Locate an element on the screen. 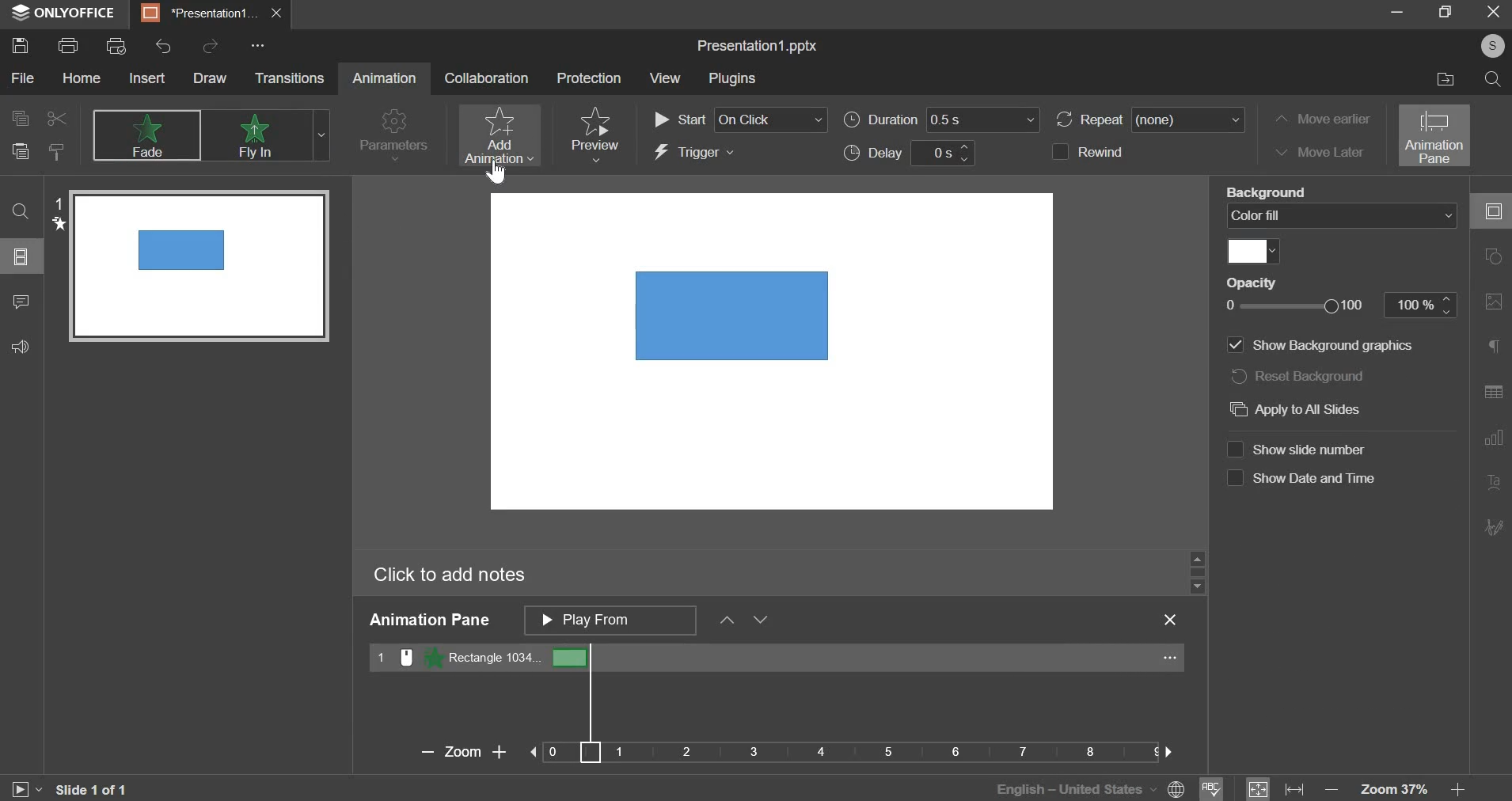  zoom out is located at coordinates (1332, 786).